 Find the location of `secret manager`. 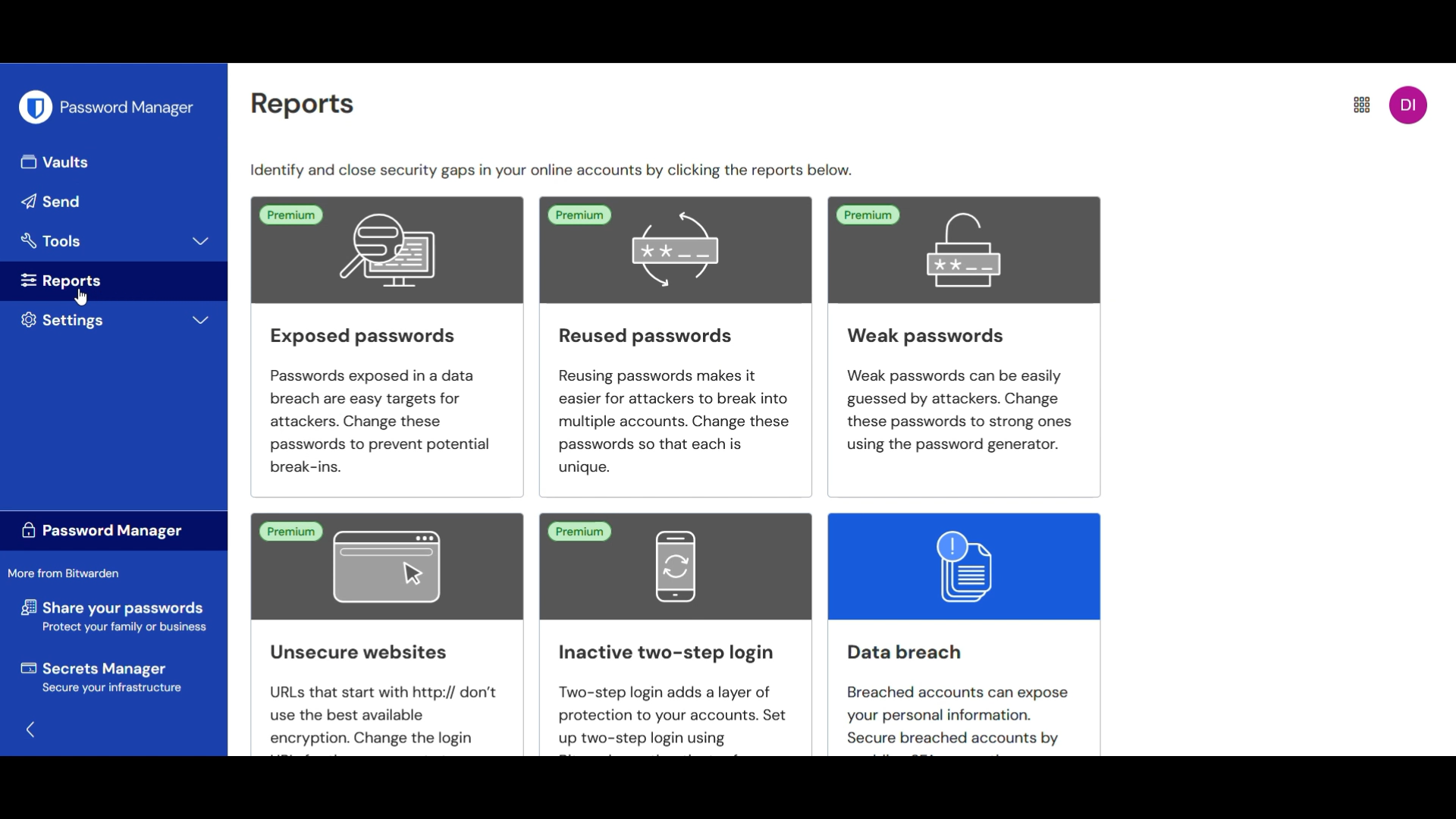

secret manager is located at coordinates (111, 673).